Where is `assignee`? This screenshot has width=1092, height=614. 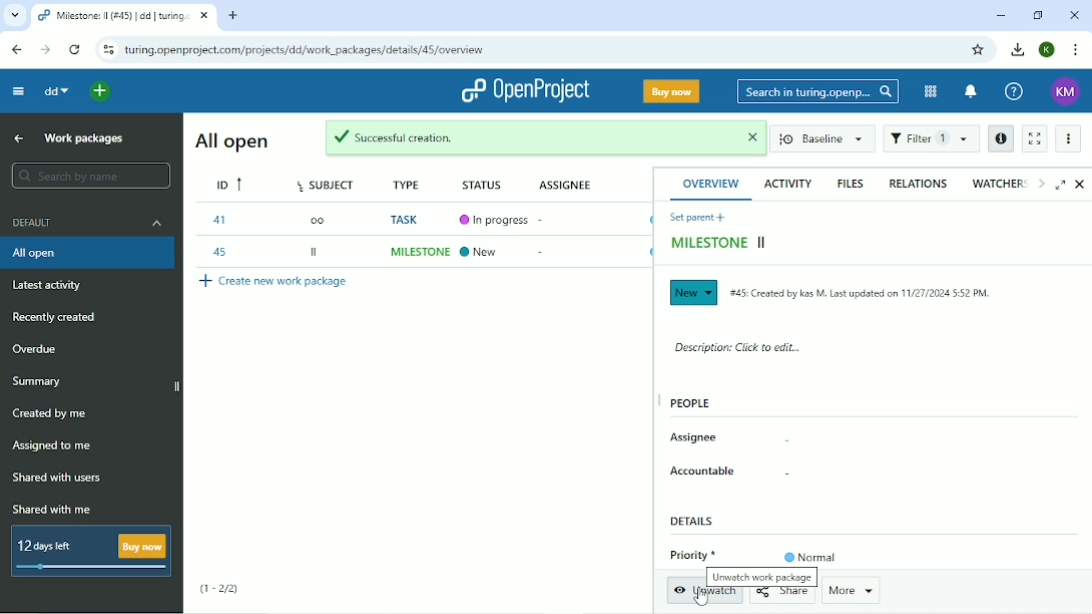 assignee is located at coordinates (558, 181).